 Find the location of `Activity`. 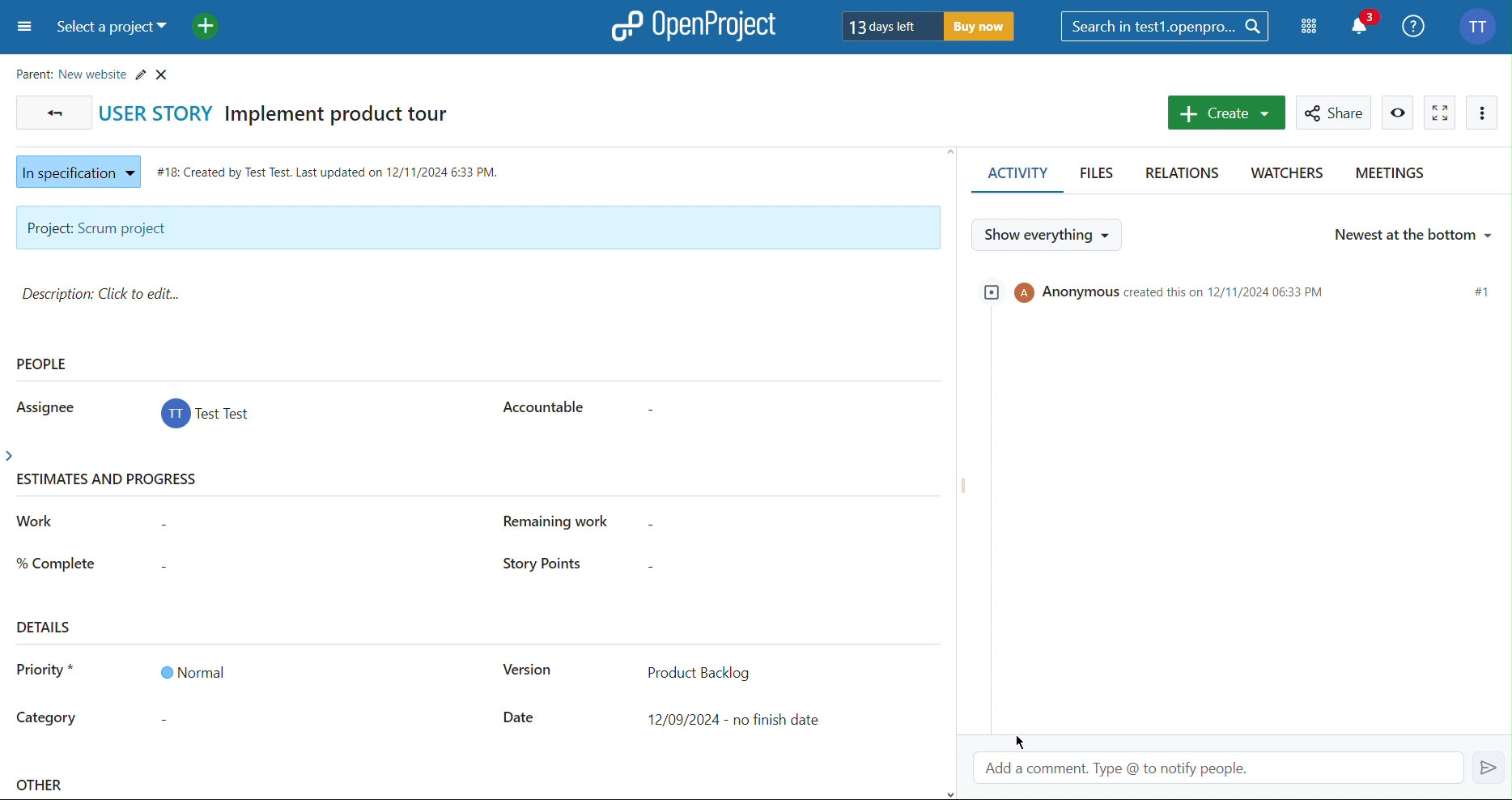

Activity is located at coordinates (1014, 177).